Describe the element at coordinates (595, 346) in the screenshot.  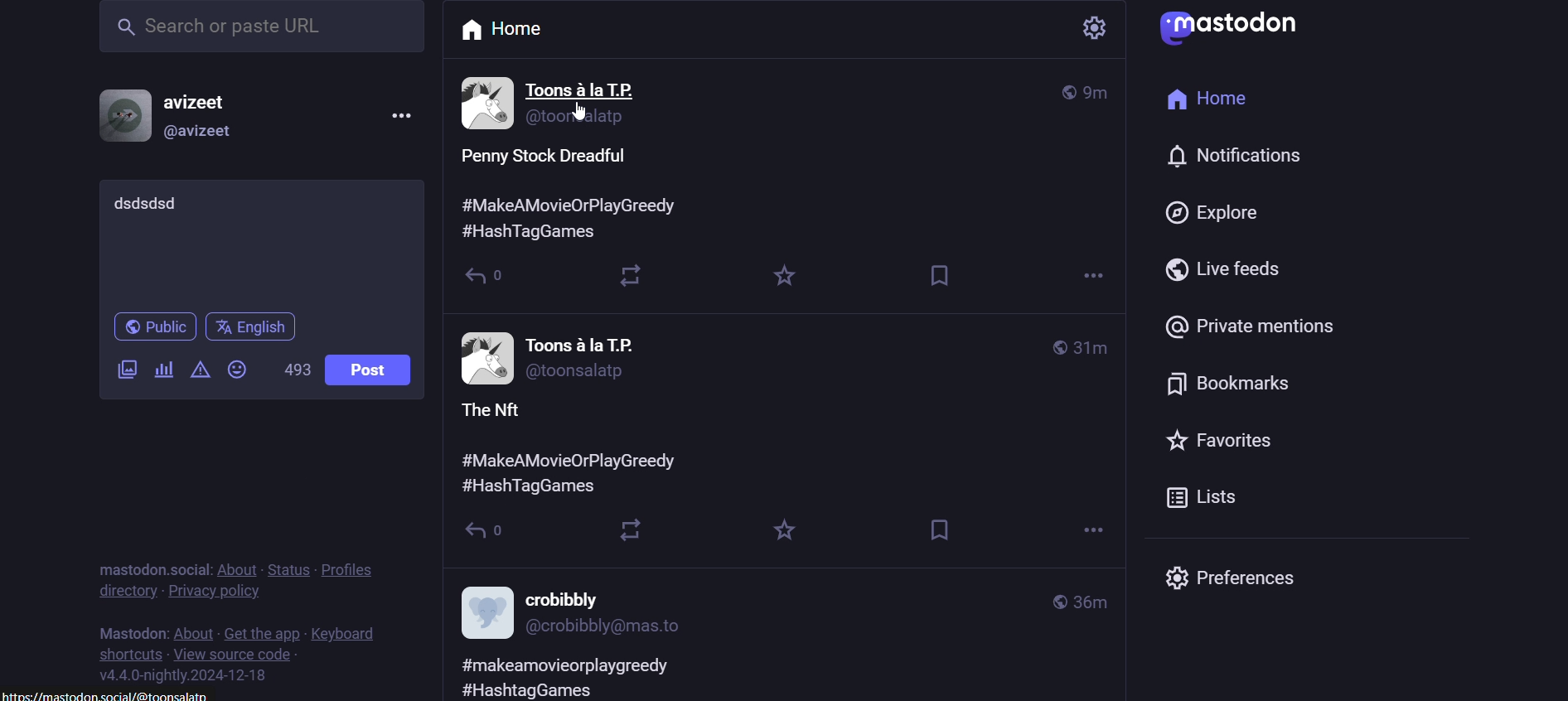
I see `` at that location.